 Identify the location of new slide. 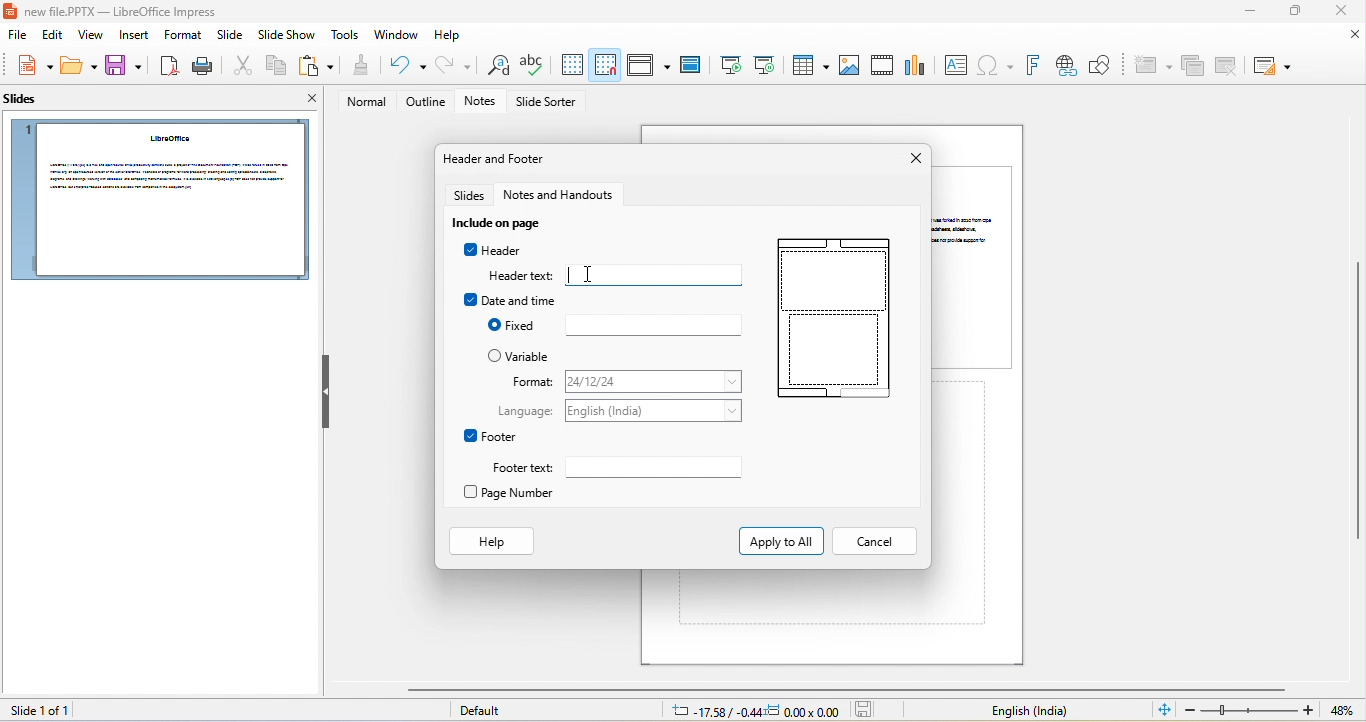
(1151, 66).